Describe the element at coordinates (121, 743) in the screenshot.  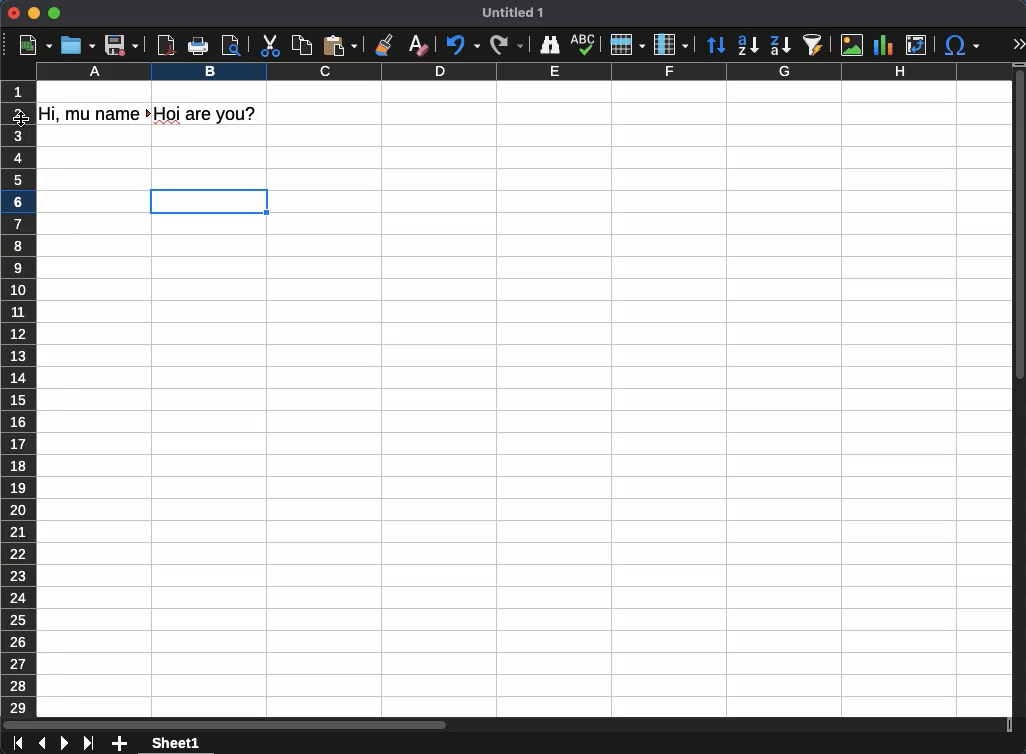
I see `add` at that location.